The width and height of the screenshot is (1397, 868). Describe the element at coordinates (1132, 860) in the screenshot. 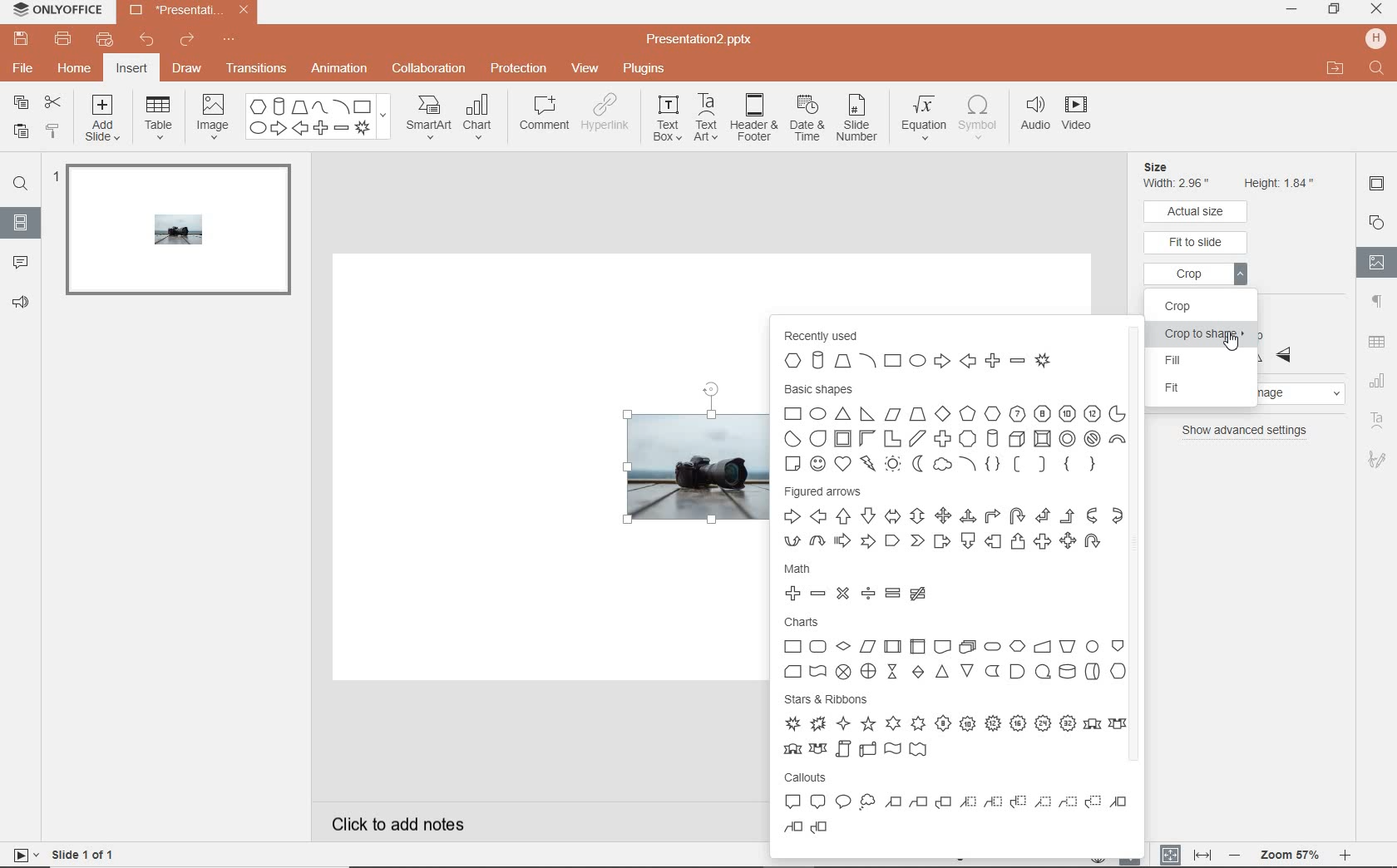

I see `spell check` at that location.